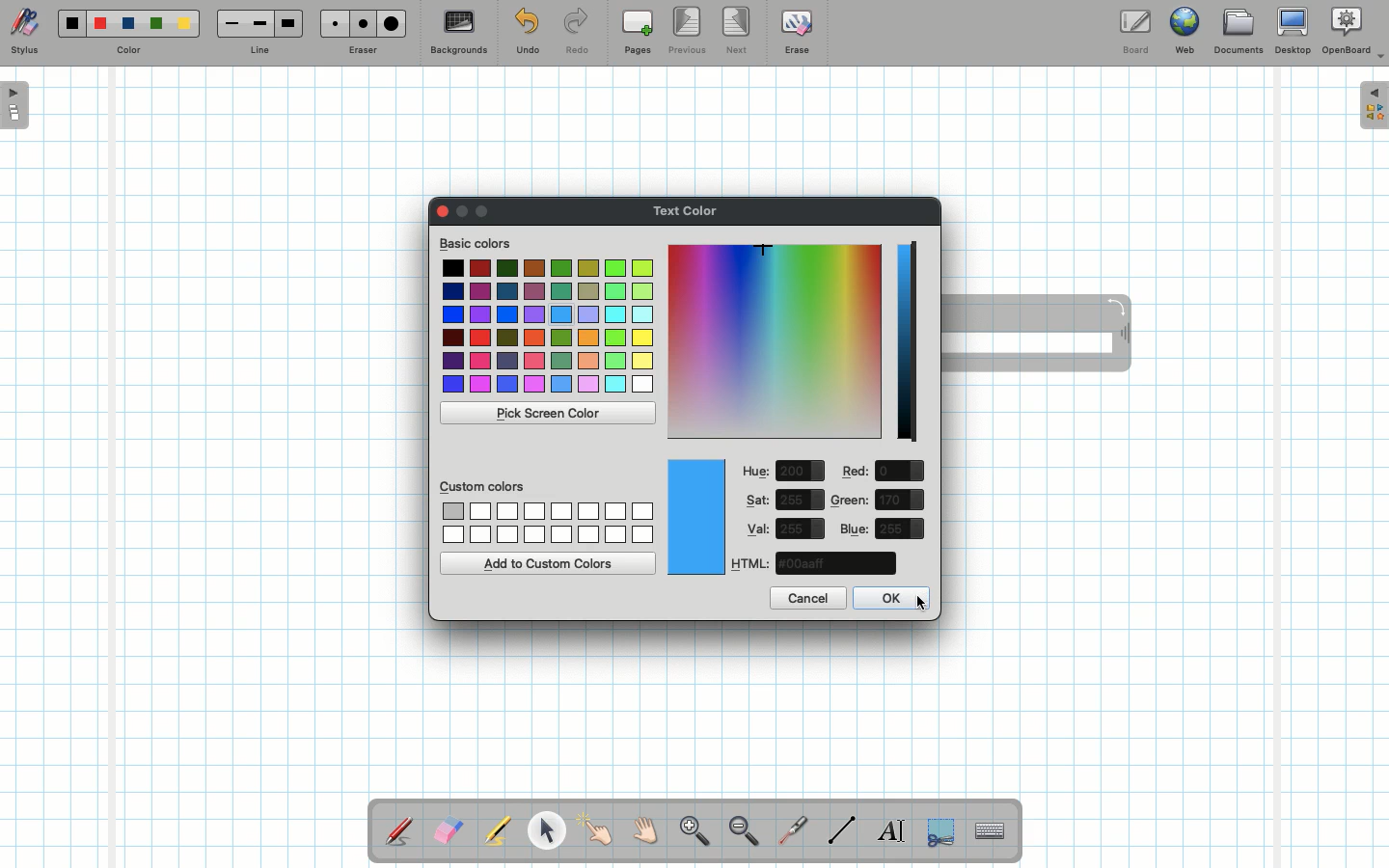  Describe the element at coordinates (758, 500) in the screenshot. I see `Sat` at that location.